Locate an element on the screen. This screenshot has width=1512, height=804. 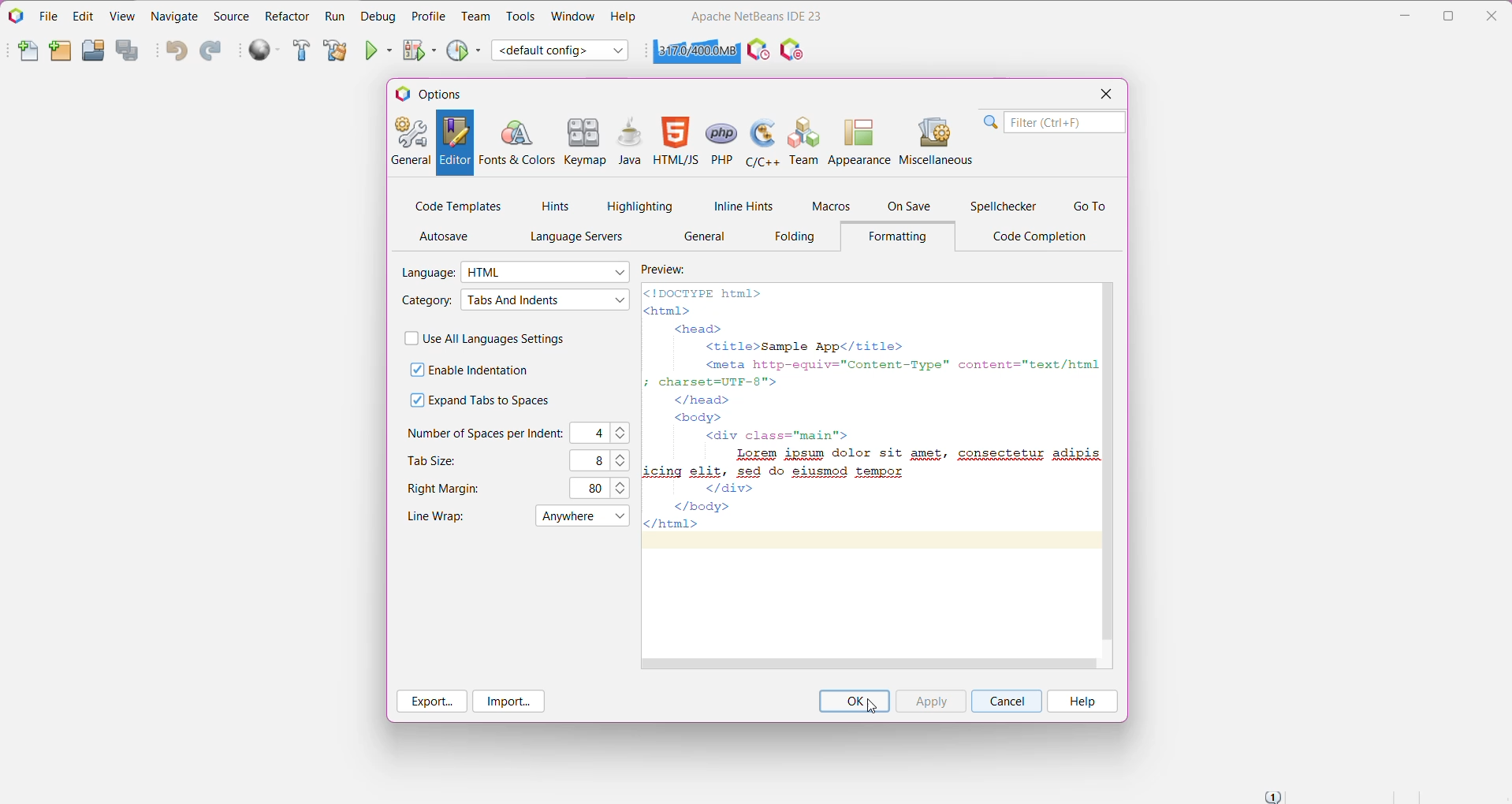
Editor is located at coordinates (454, 143).